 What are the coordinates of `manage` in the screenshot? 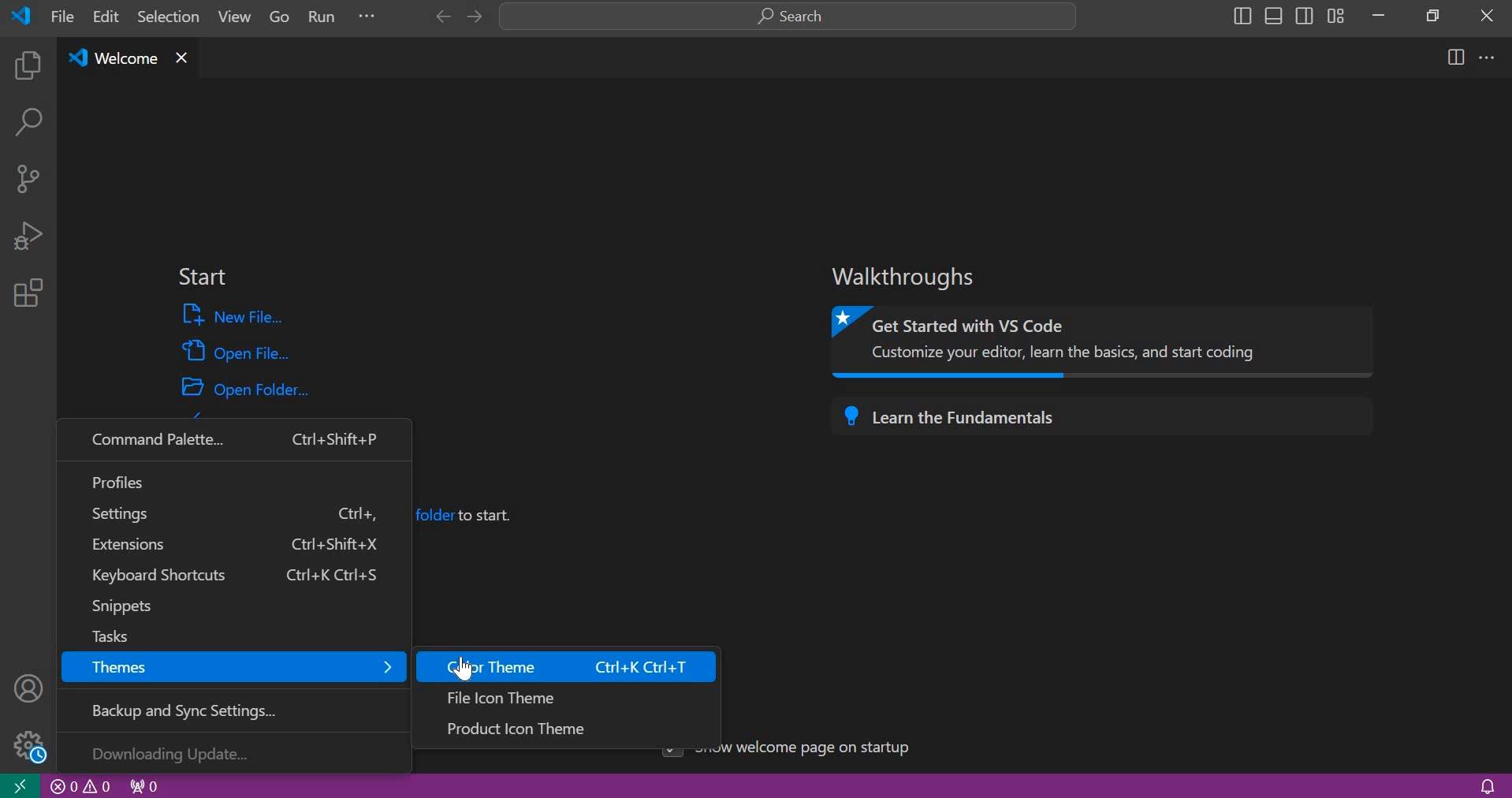 It's located at (25, 744).